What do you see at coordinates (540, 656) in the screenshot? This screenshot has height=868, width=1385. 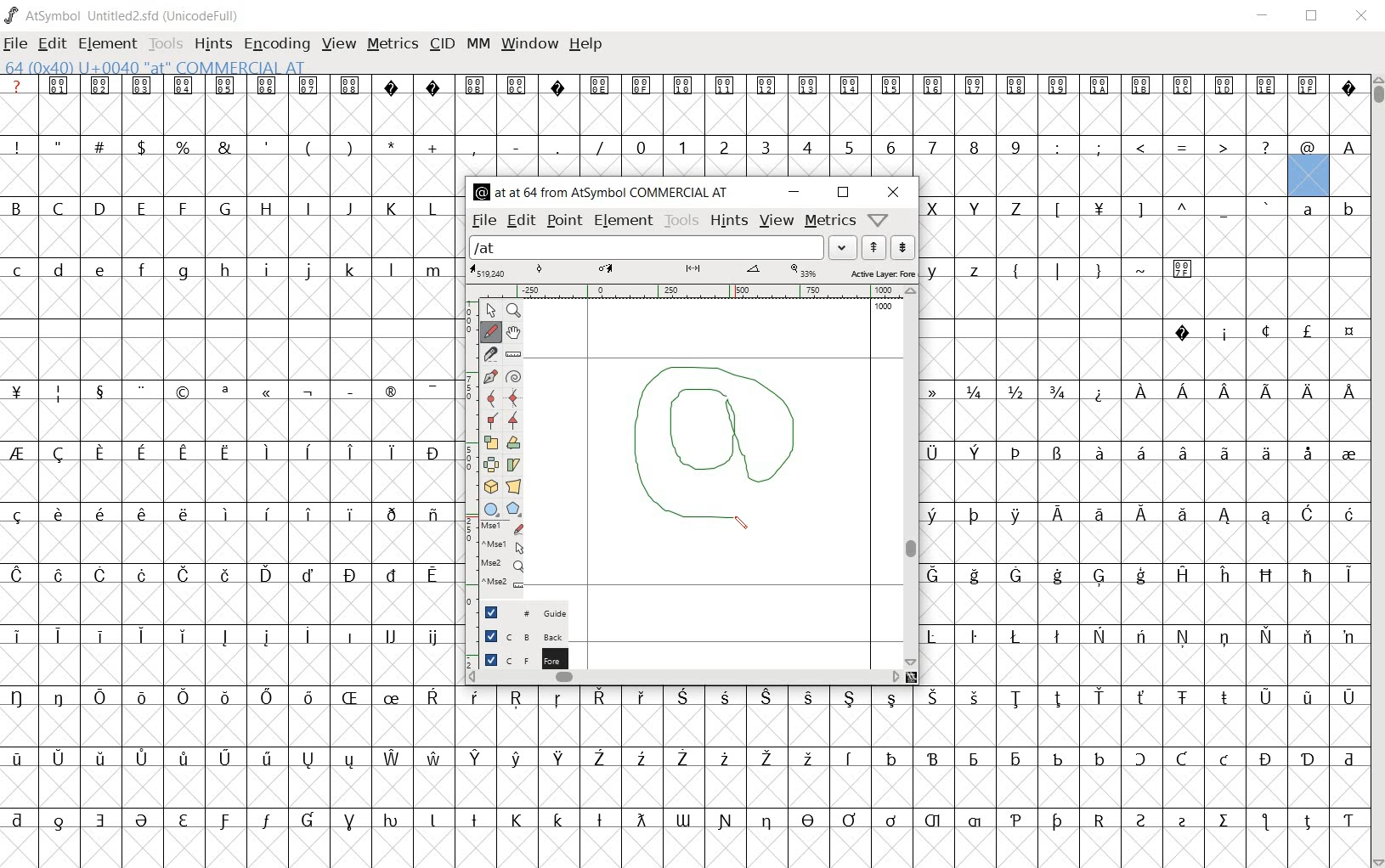 I see `foreground` at bounding box center [540, 656].